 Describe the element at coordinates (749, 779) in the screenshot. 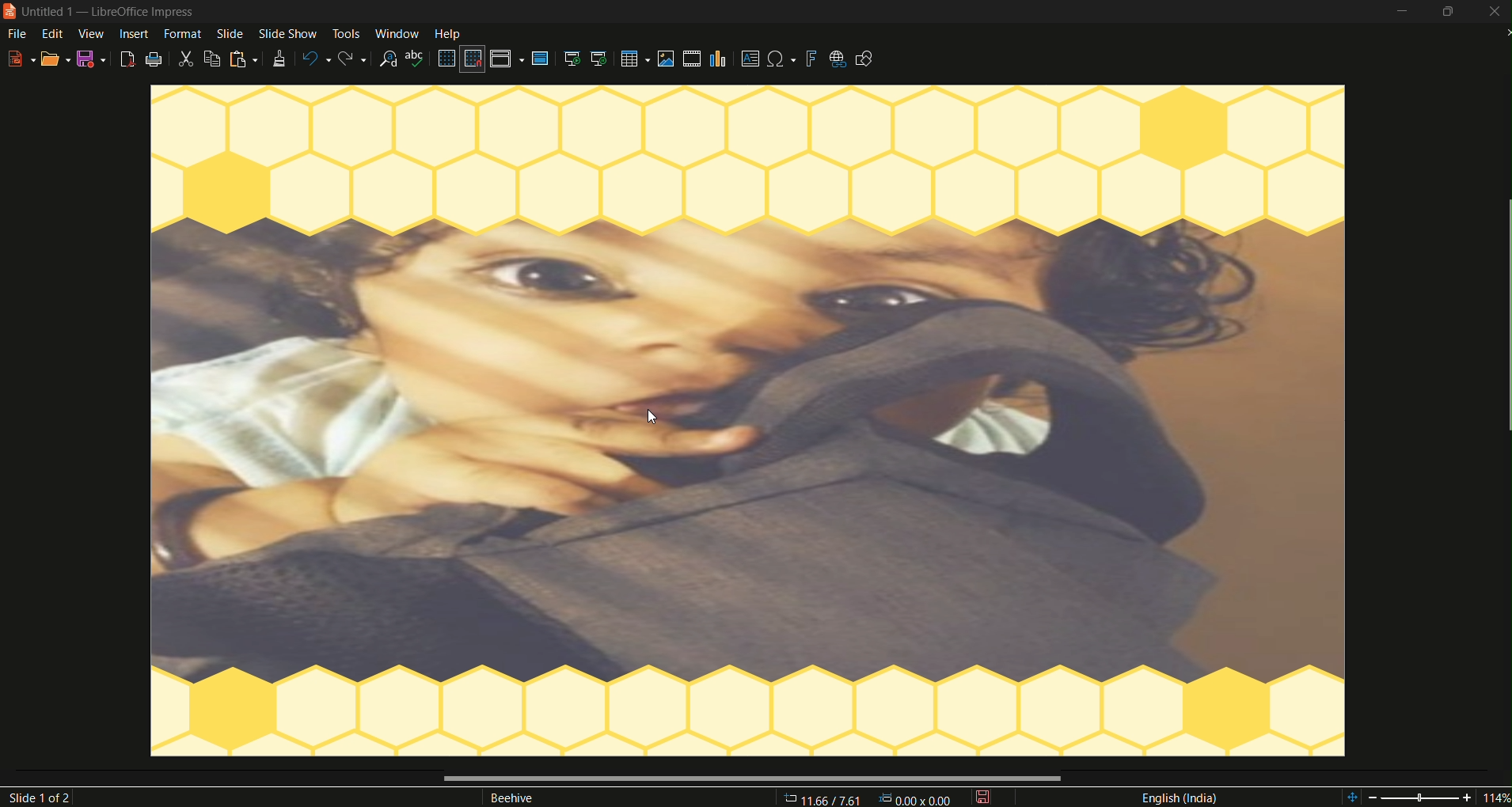

I see `scrollbar` at that location.